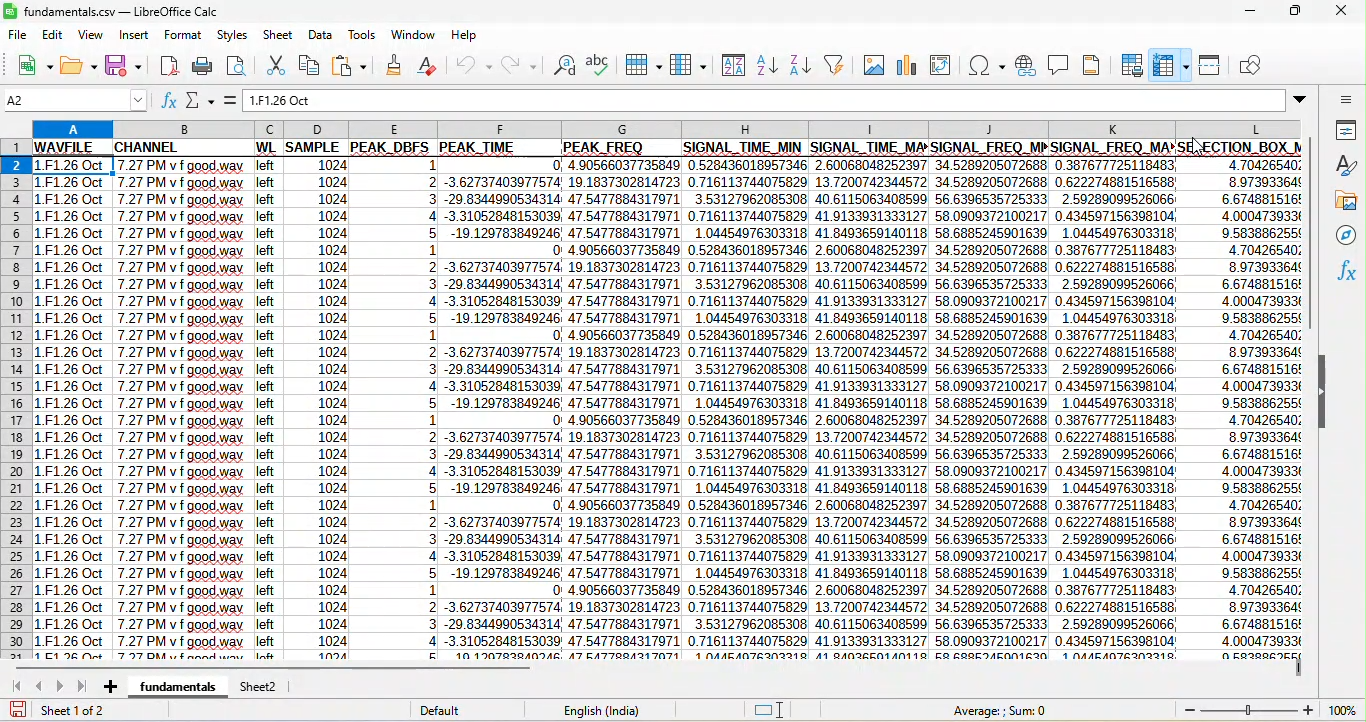  What do you see at coordinates (123, 65) in the screenshot?
I see `save` at bounding box center [123, 65].